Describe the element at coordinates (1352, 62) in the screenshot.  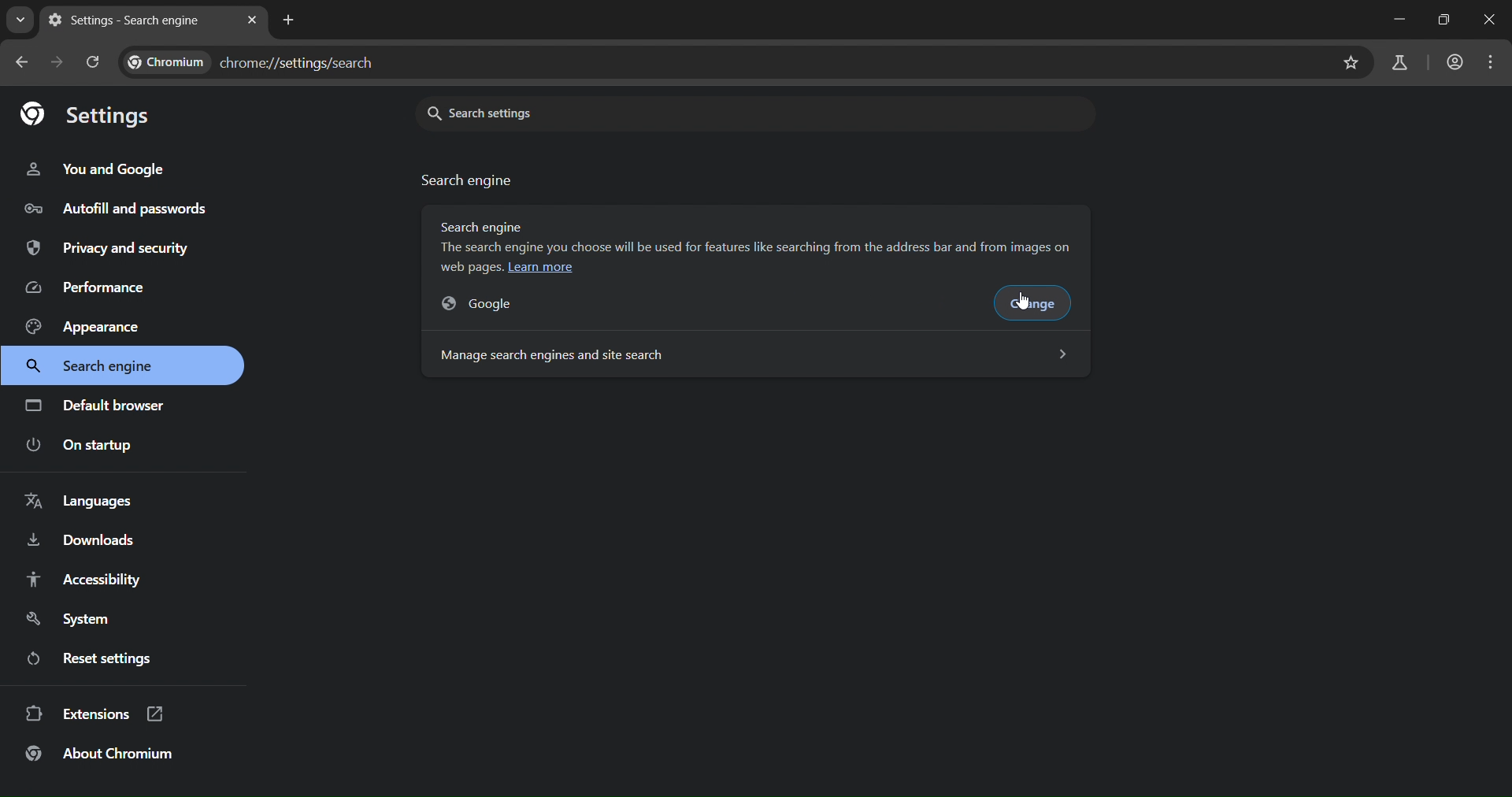
I see `bookmark page` at that location.